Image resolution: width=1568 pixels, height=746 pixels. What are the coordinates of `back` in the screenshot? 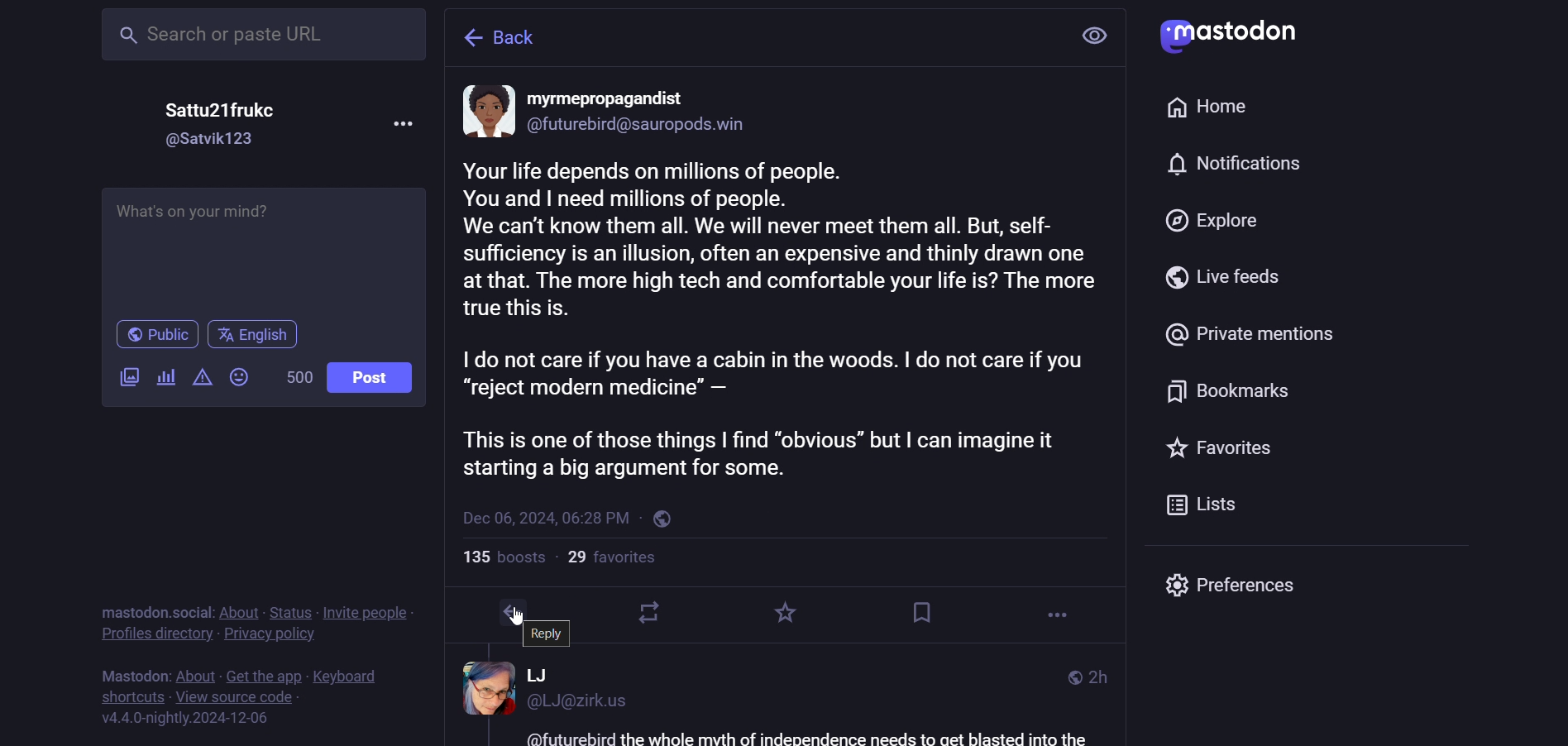 It's located at (506, 36).